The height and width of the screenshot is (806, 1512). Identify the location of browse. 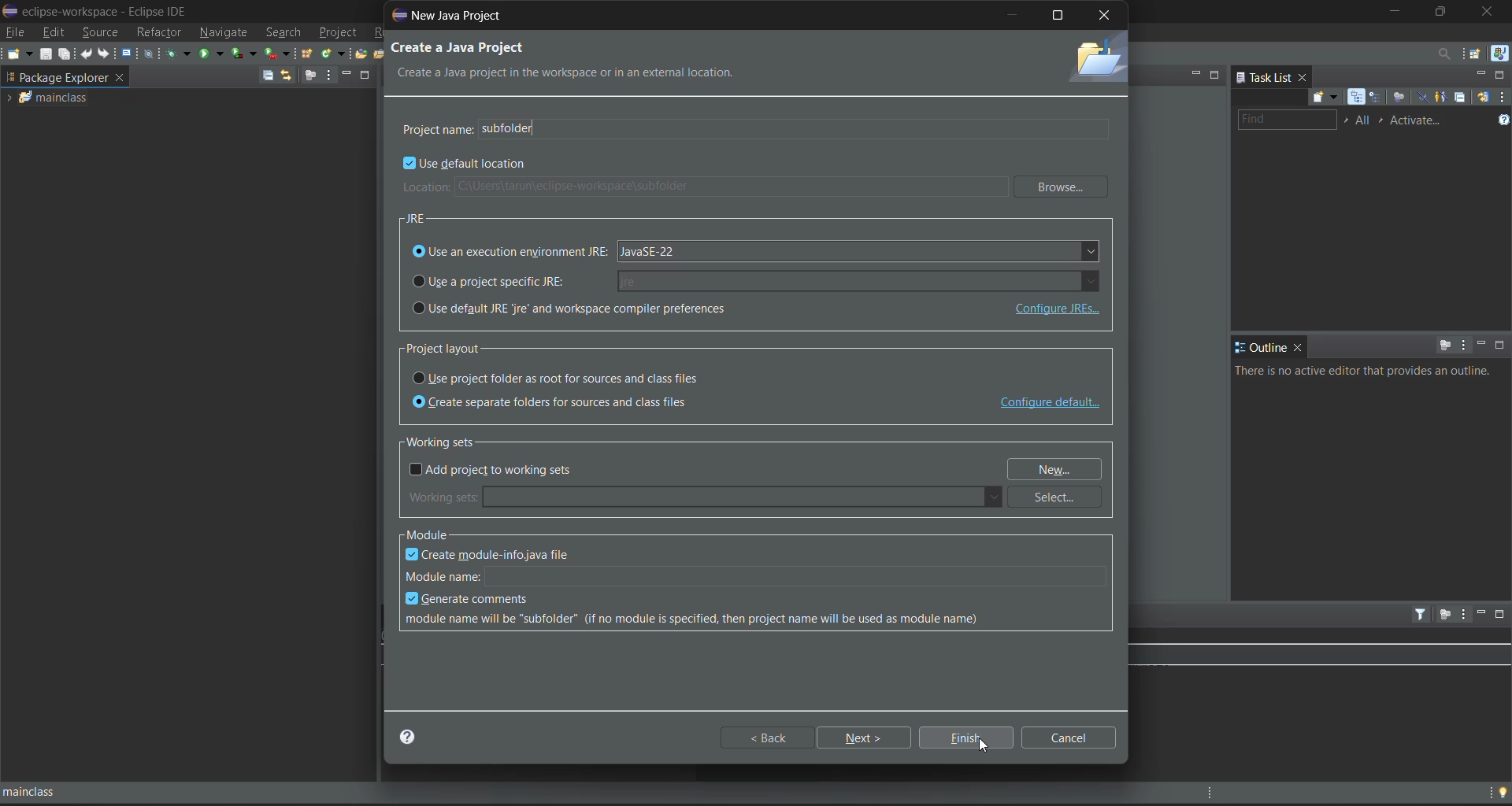
(1064, 187).